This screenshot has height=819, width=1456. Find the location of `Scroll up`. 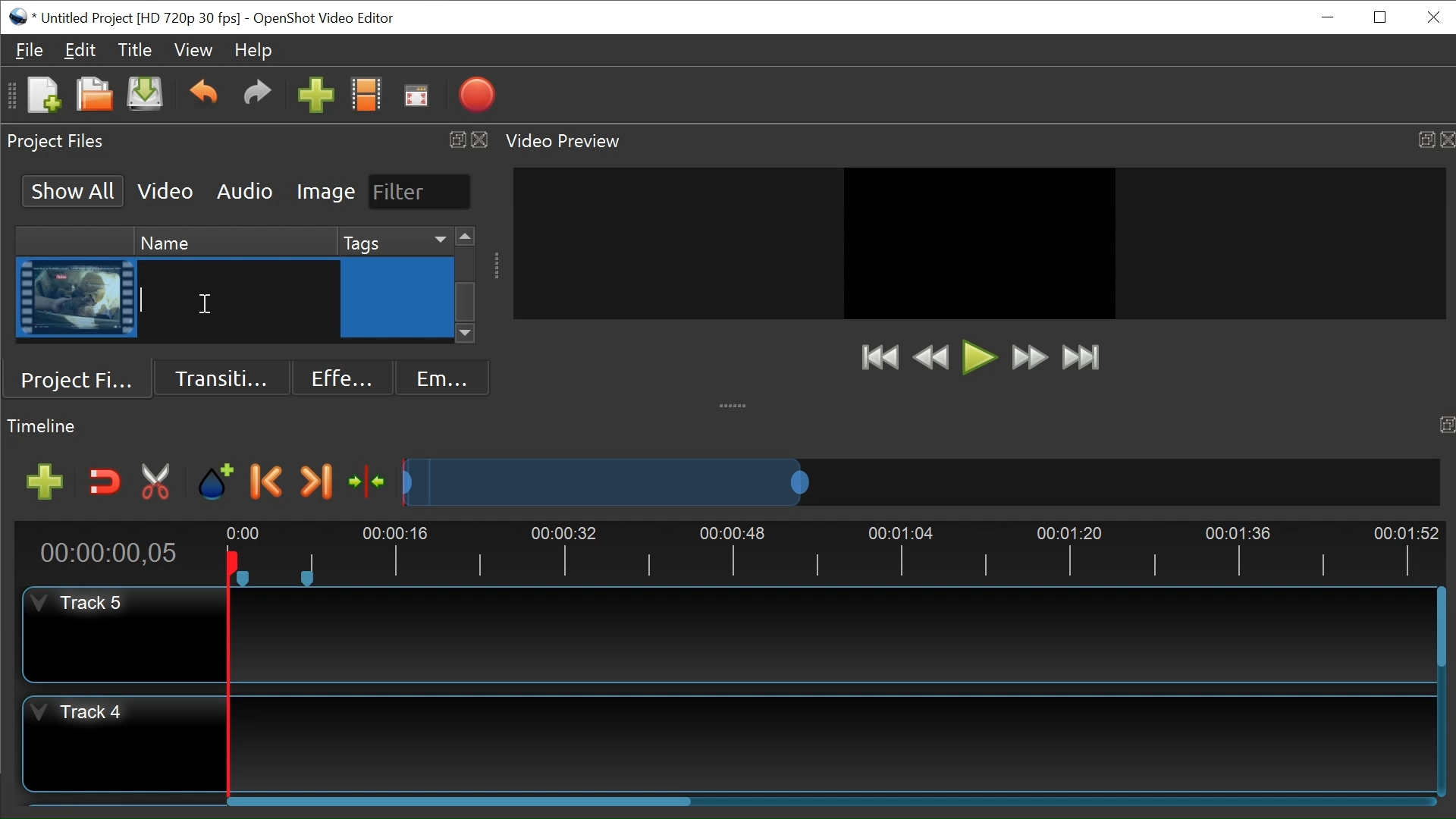

Scroll up is located at coordinates (465, 237).